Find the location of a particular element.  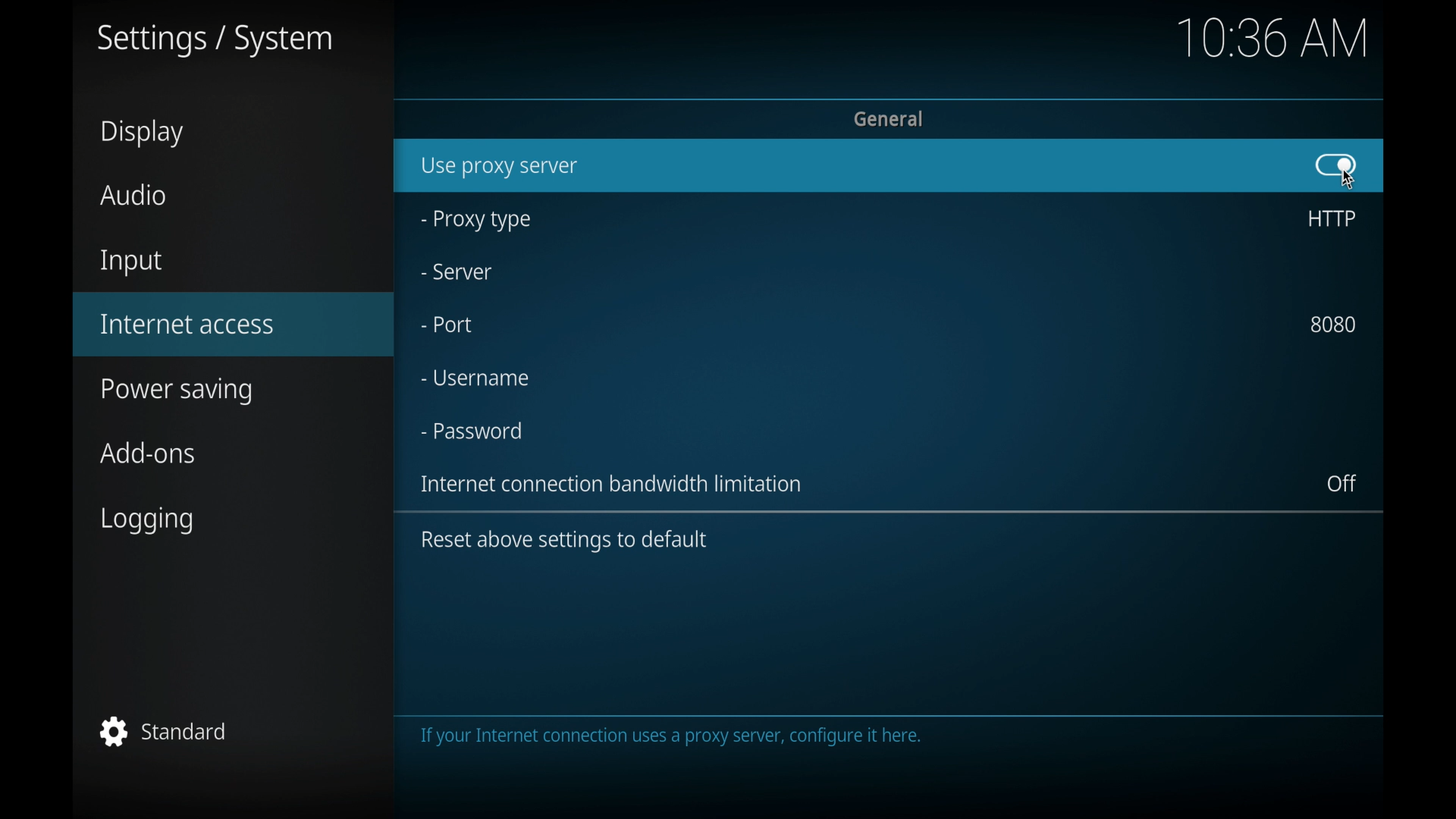

port is located at coordinates (447, 325).